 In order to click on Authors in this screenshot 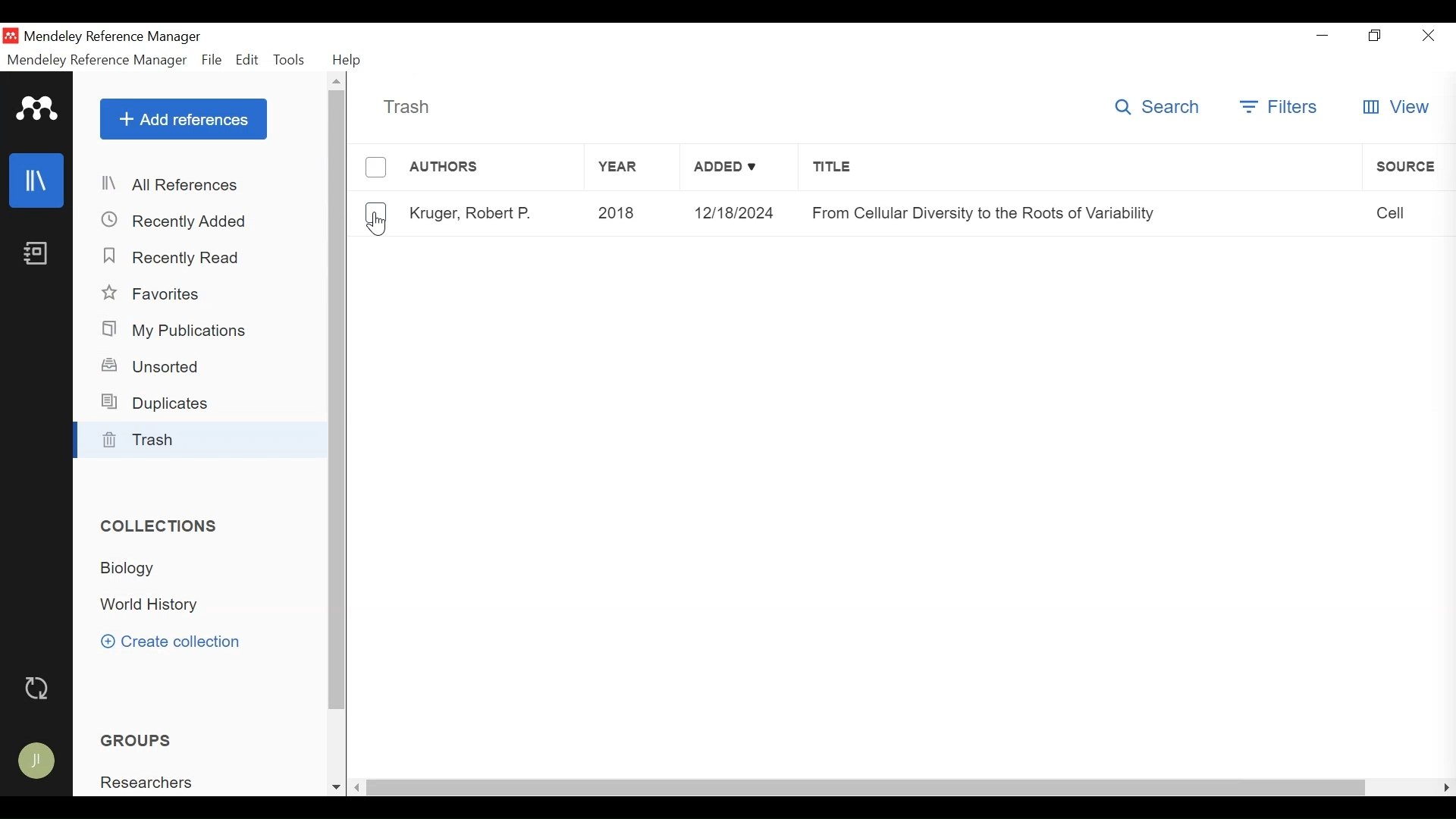, I will do `click(492, 169)`.